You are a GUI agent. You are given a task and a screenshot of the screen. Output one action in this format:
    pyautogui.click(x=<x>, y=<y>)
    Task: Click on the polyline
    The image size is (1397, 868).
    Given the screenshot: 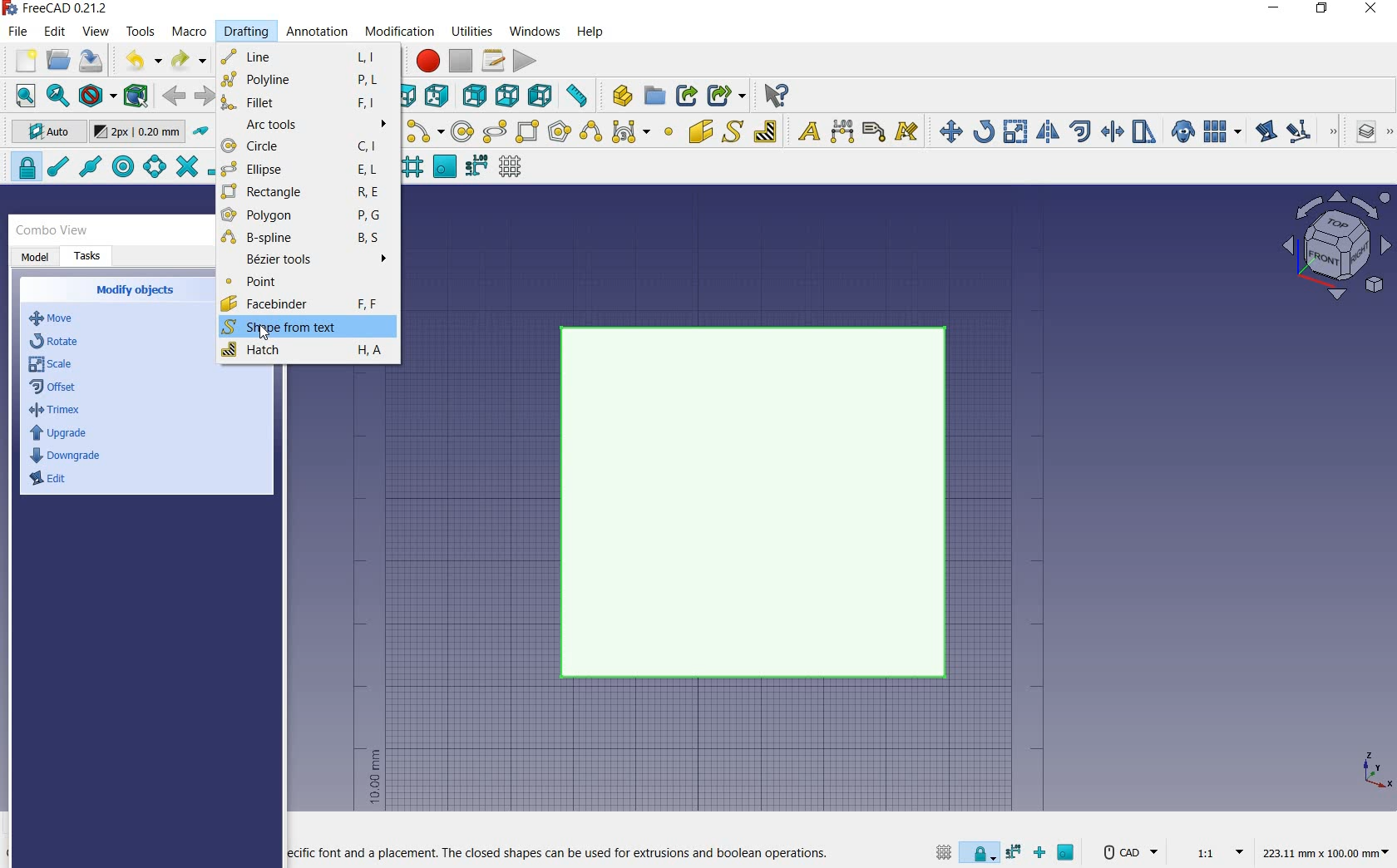 What is the action you would take?
    pyautogui.click(x=304, y=79)
    